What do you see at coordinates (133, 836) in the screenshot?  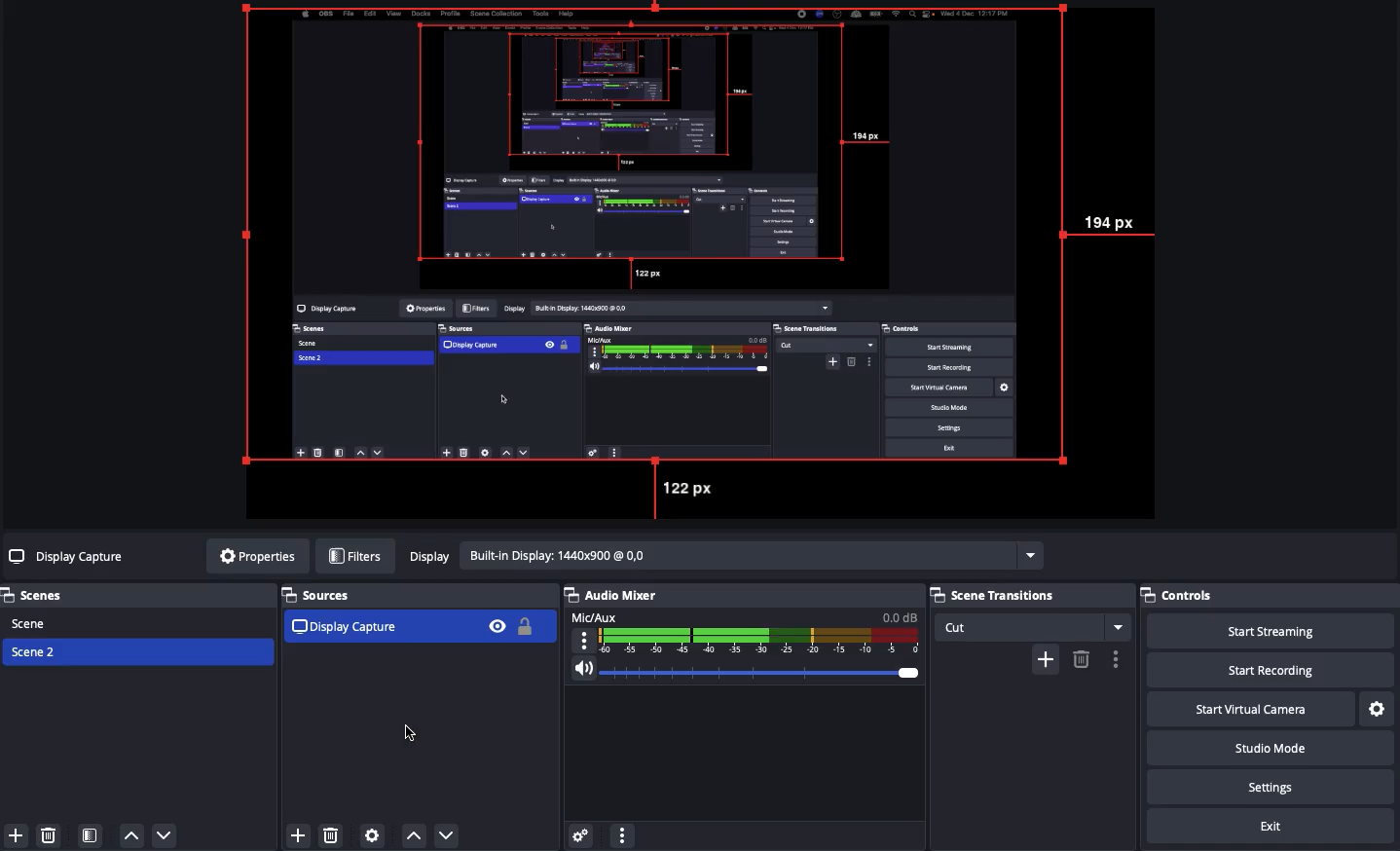 I see `Move up` at bounding box center [133, 836].